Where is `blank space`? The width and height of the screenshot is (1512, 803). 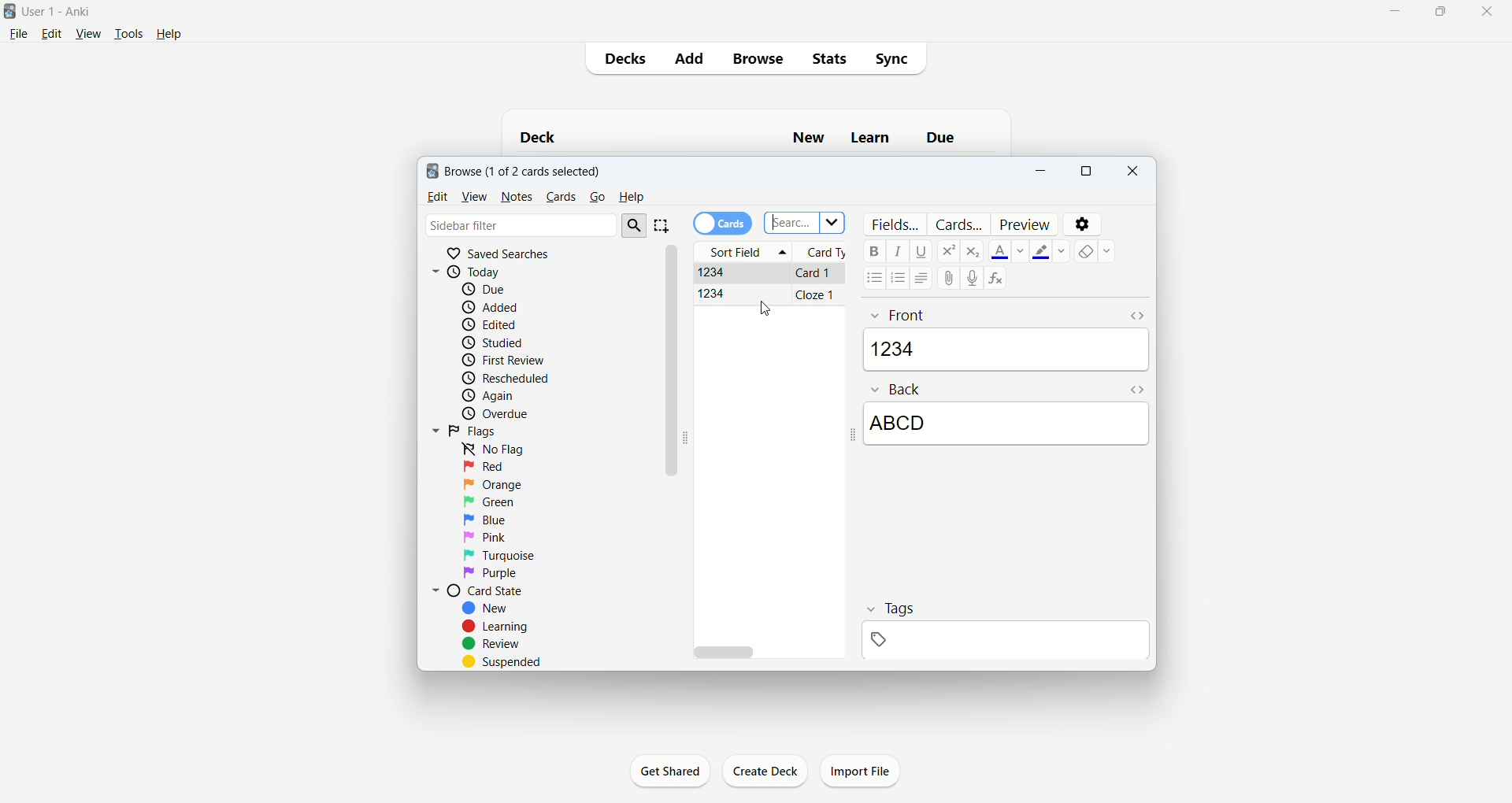 blank space is located at coordinates (1003, 642).